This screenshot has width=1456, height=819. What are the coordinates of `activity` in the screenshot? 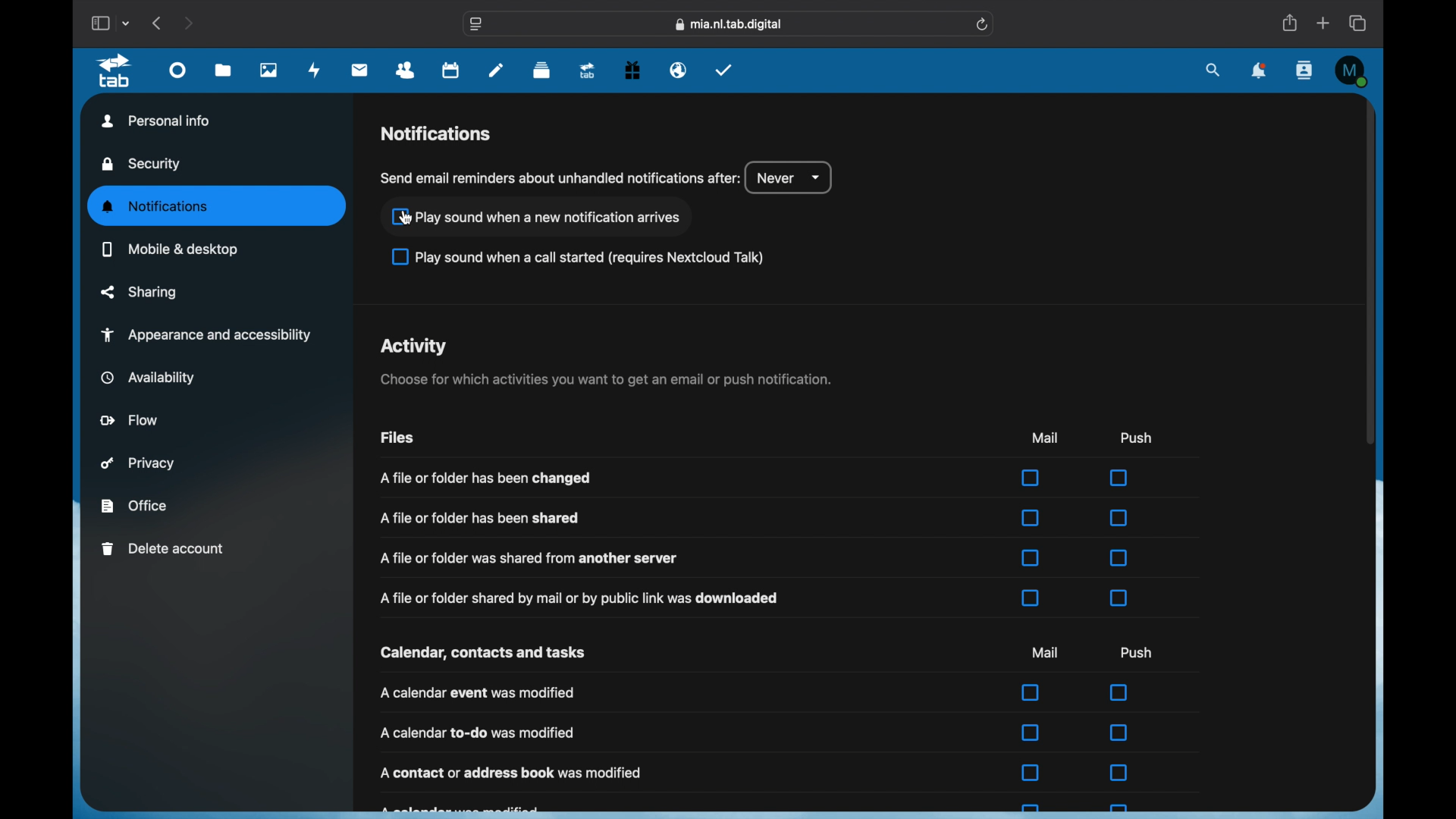 It's located at (415, 347).